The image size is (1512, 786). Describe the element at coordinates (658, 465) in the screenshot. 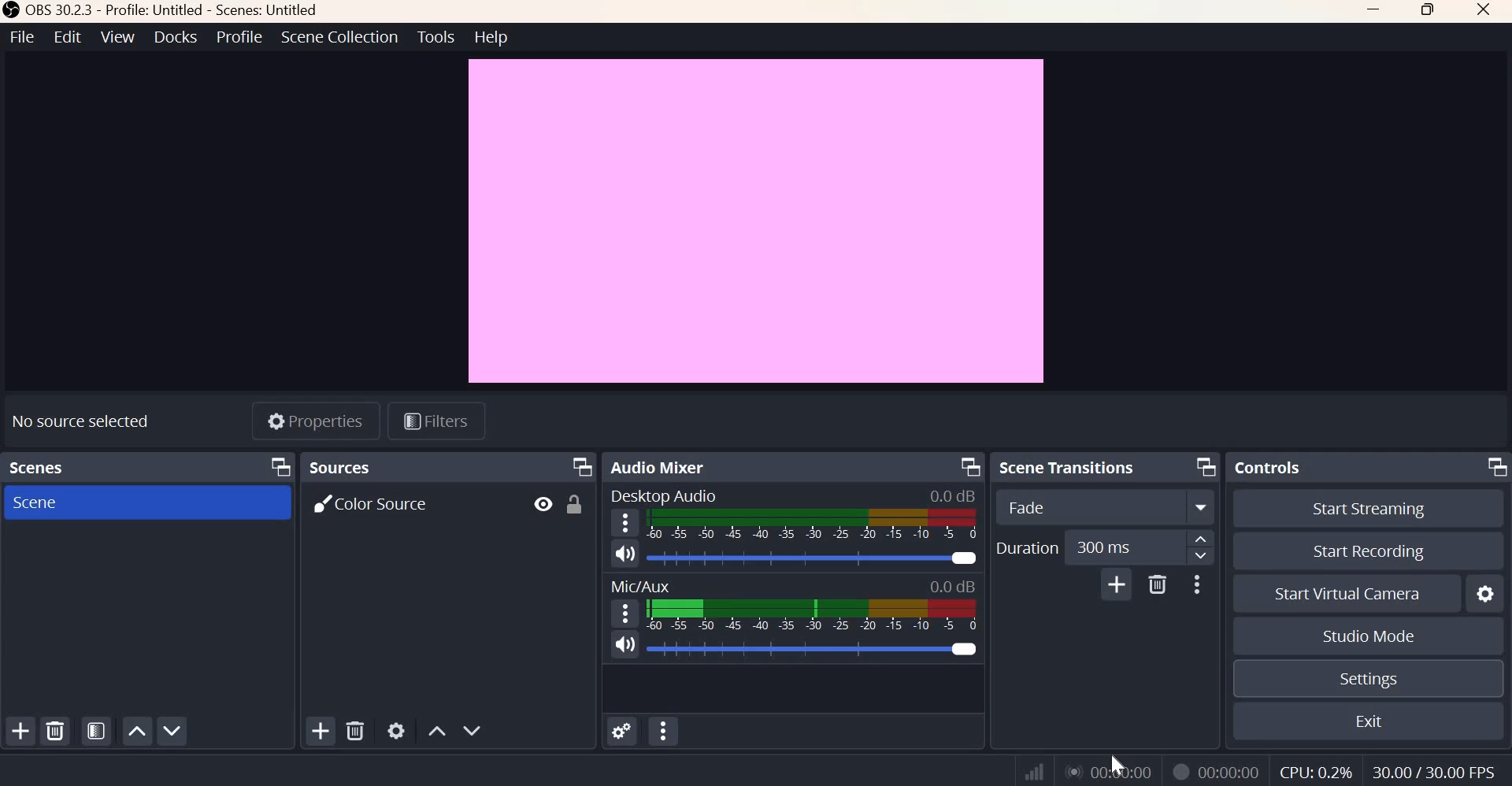

I see `Audio Mixer` at that location.